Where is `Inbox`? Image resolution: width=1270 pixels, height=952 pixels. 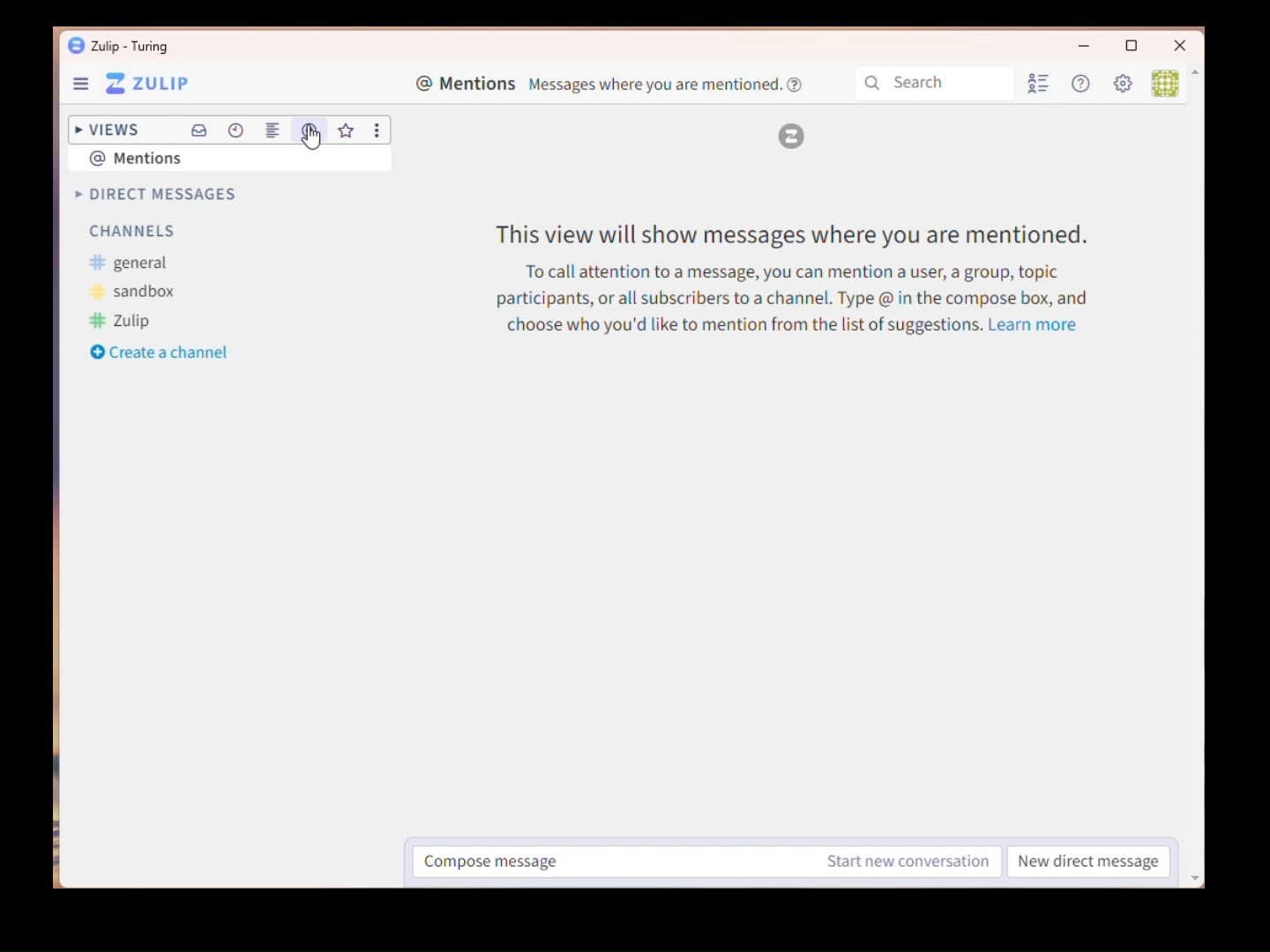 Inbox is located at coordinates (199, 133).